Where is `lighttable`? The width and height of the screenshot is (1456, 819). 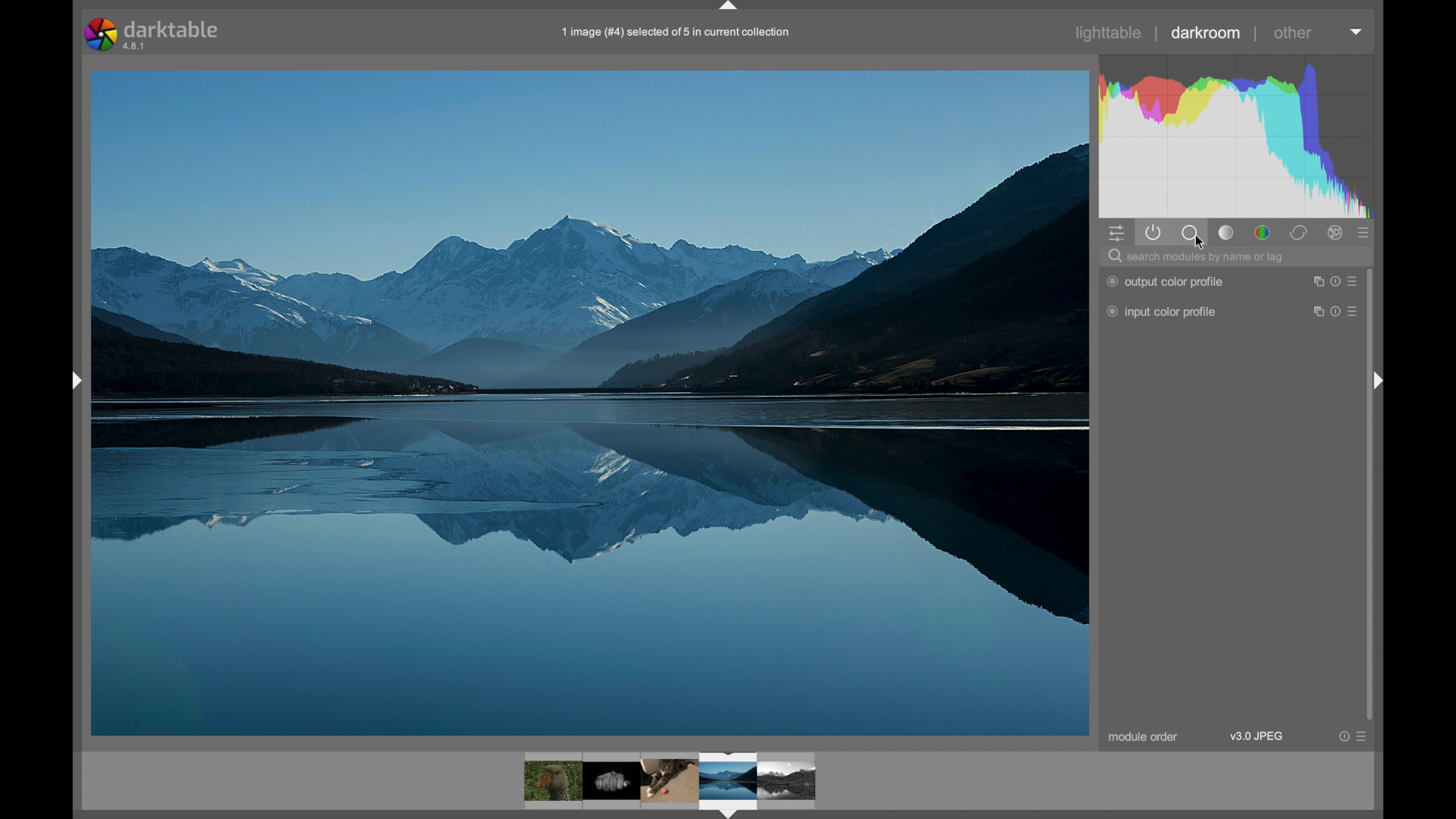 lighttable is located at coordinates (1109, 33).